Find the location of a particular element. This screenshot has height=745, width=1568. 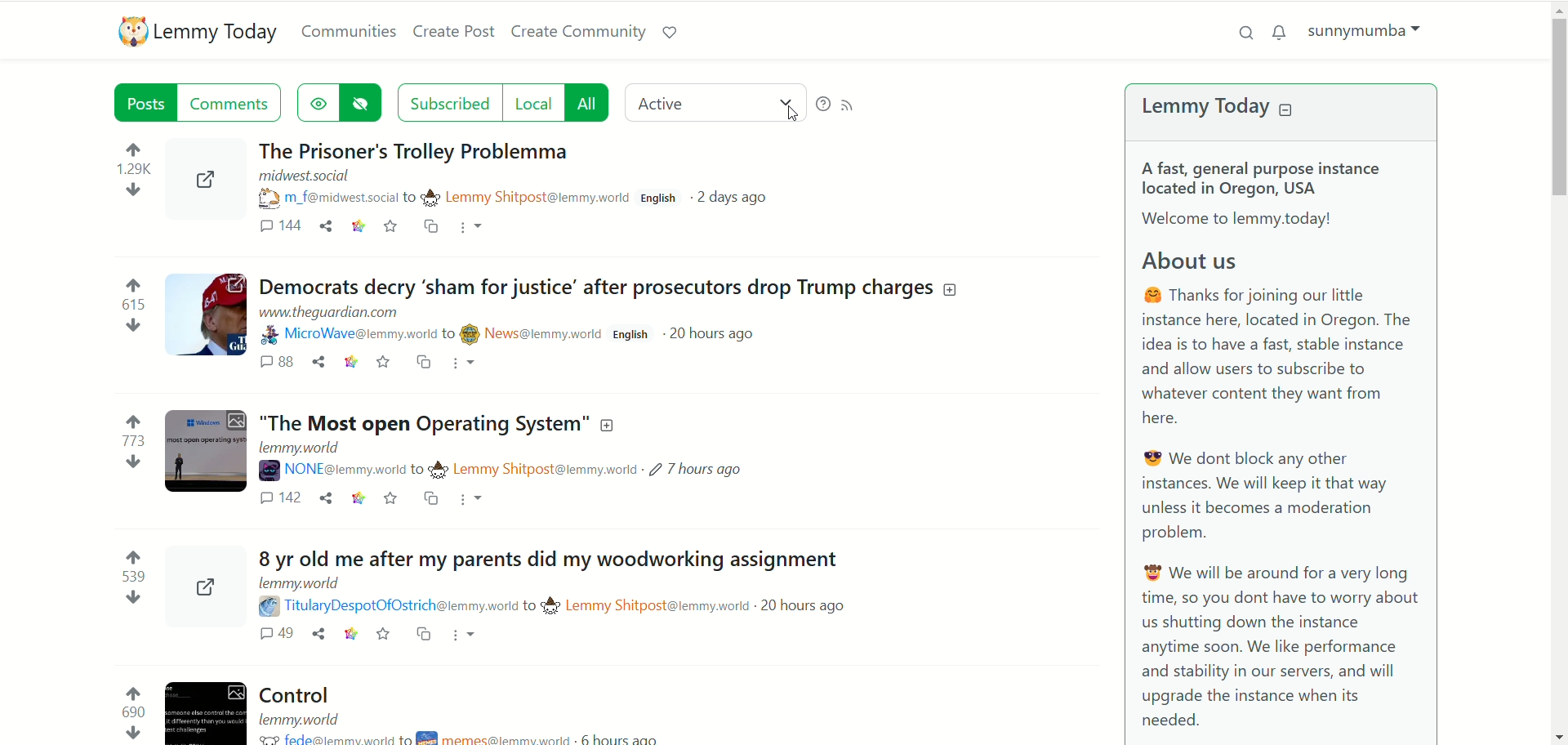

vertical scroll bar is located at coordinates (1558, 371).